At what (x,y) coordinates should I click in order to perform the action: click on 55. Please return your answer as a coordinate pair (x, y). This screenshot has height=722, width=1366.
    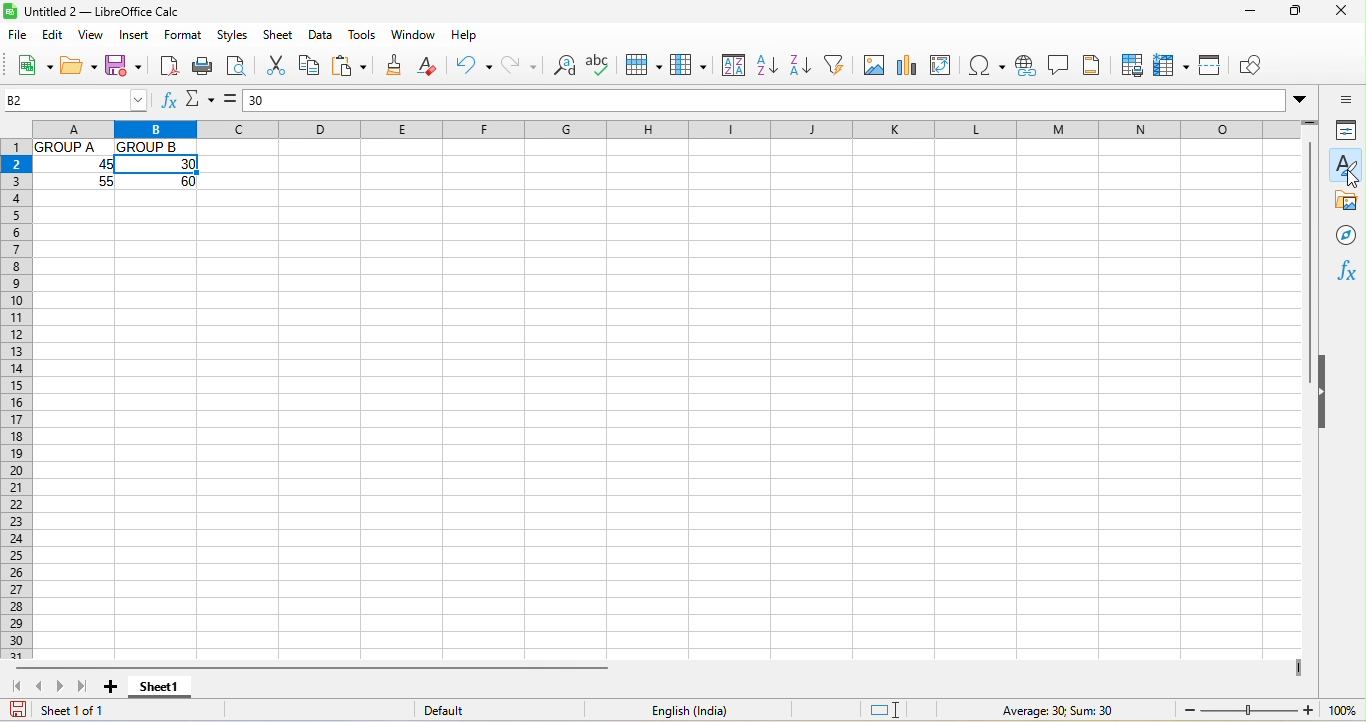
    Looking at the image, I should click on (99, 182).